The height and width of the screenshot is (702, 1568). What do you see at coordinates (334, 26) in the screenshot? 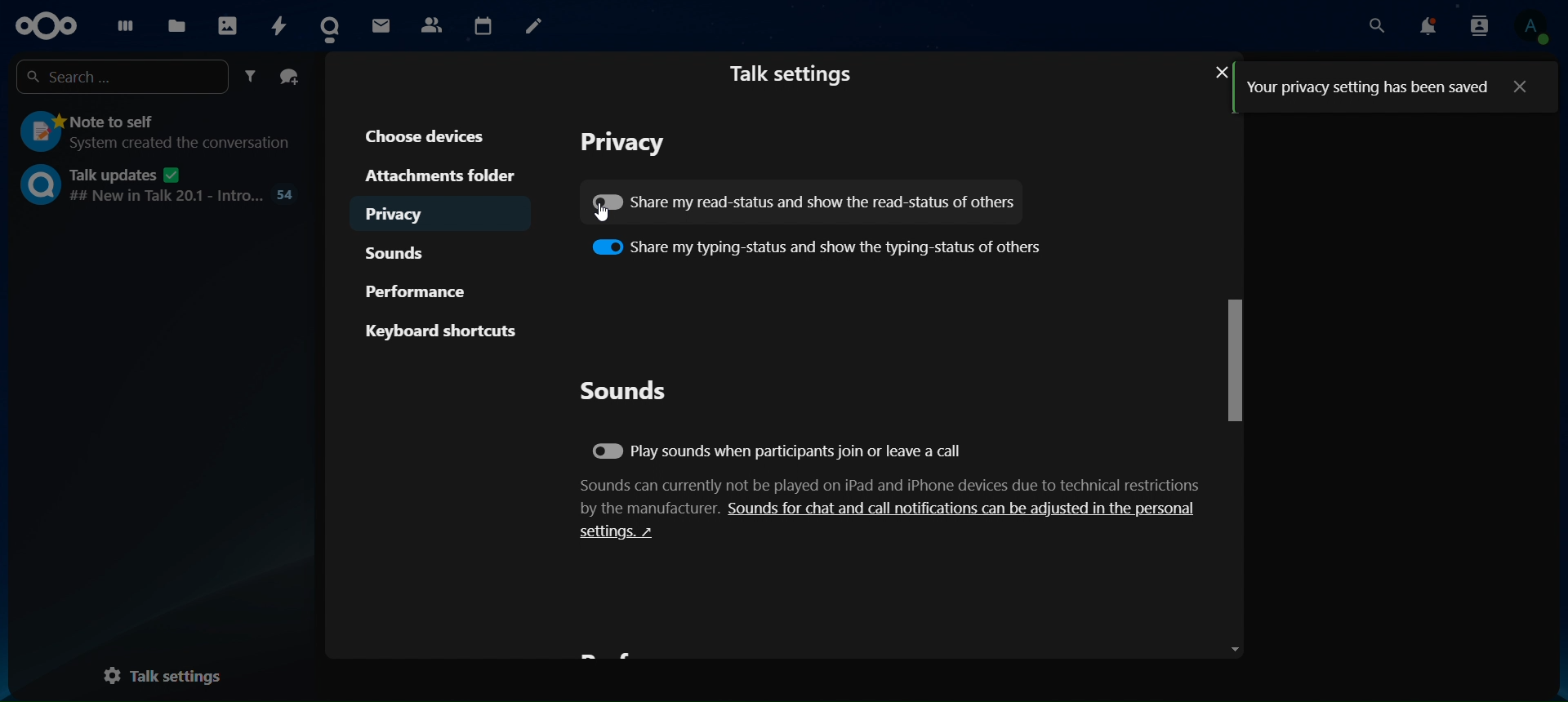
I see `contact` at bounding box center [334, 26].